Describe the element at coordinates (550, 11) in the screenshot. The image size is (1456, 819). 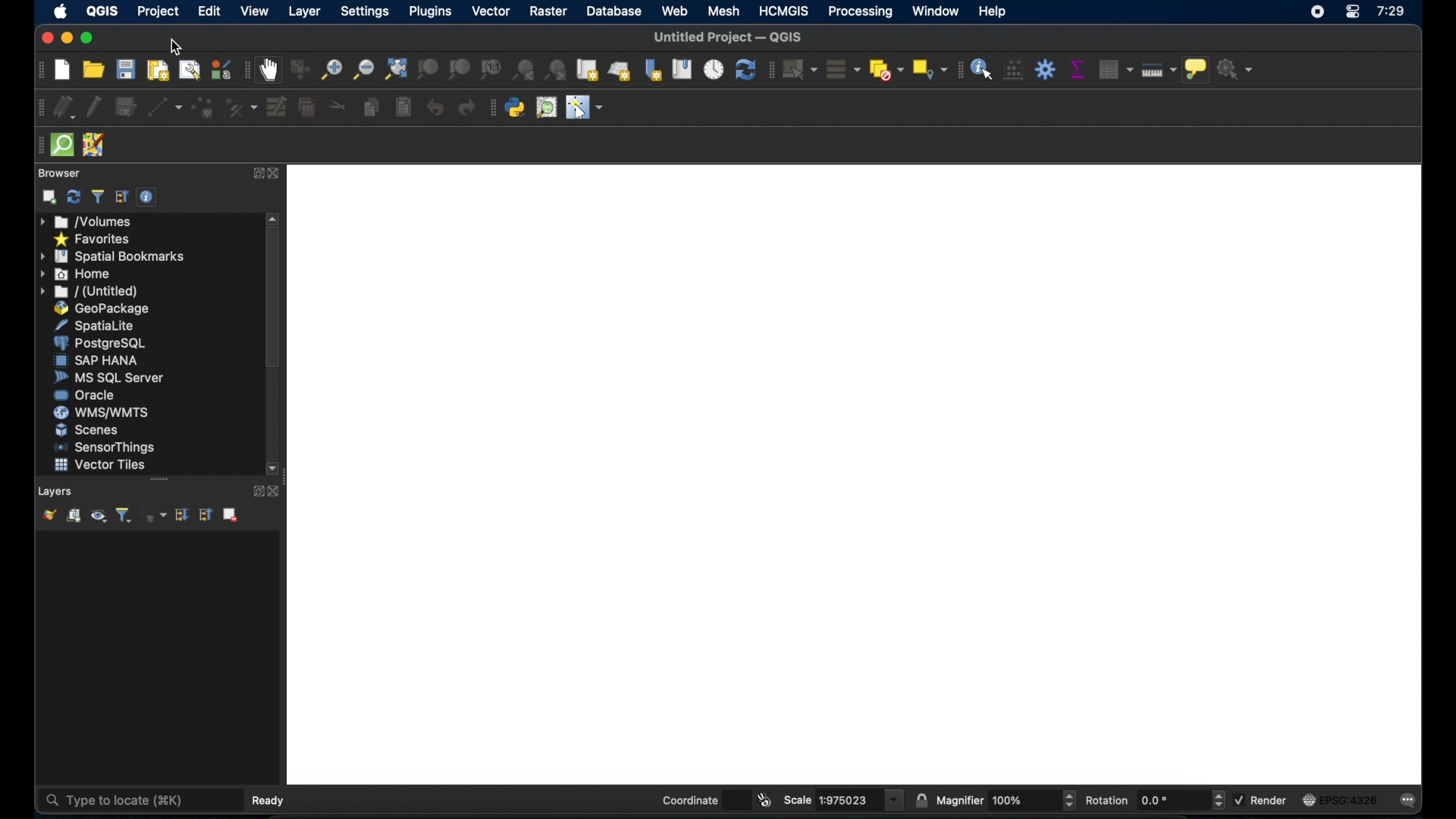
I see `raster` at that location.